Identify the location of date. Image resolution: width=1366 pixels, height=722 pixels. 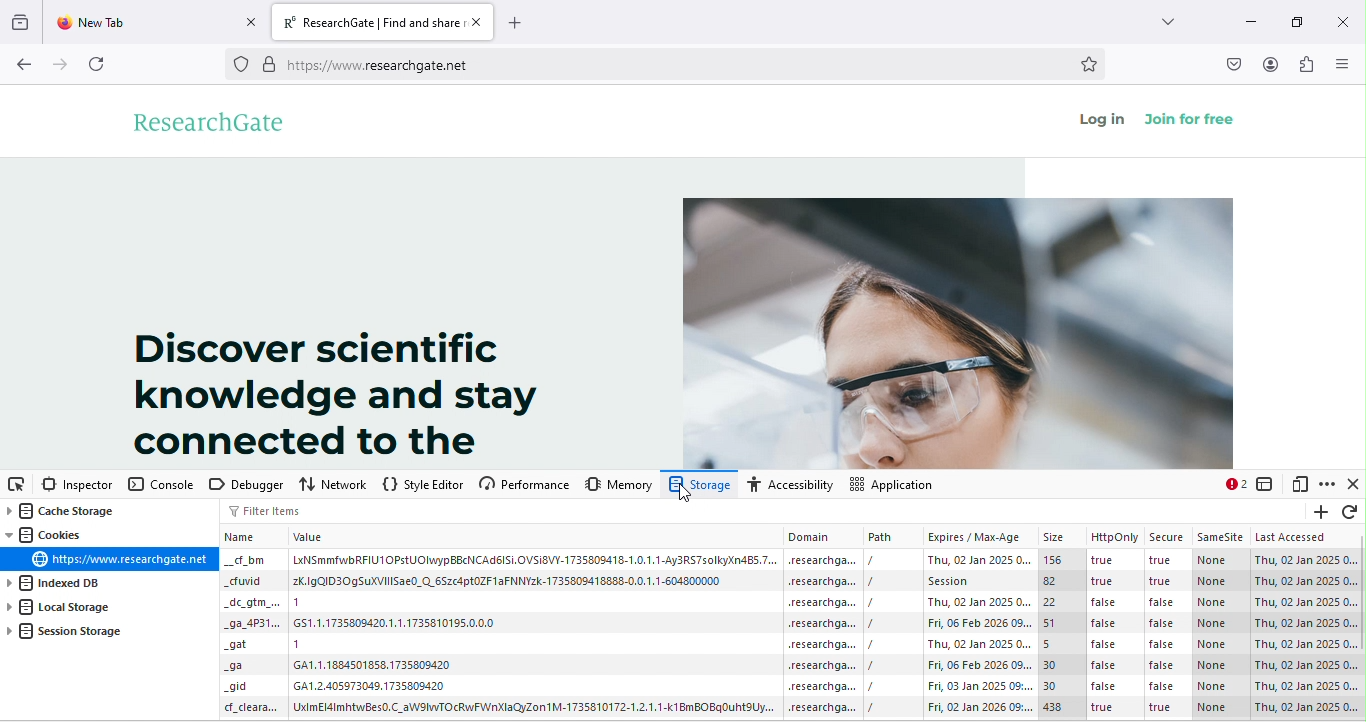
(1310, 581).